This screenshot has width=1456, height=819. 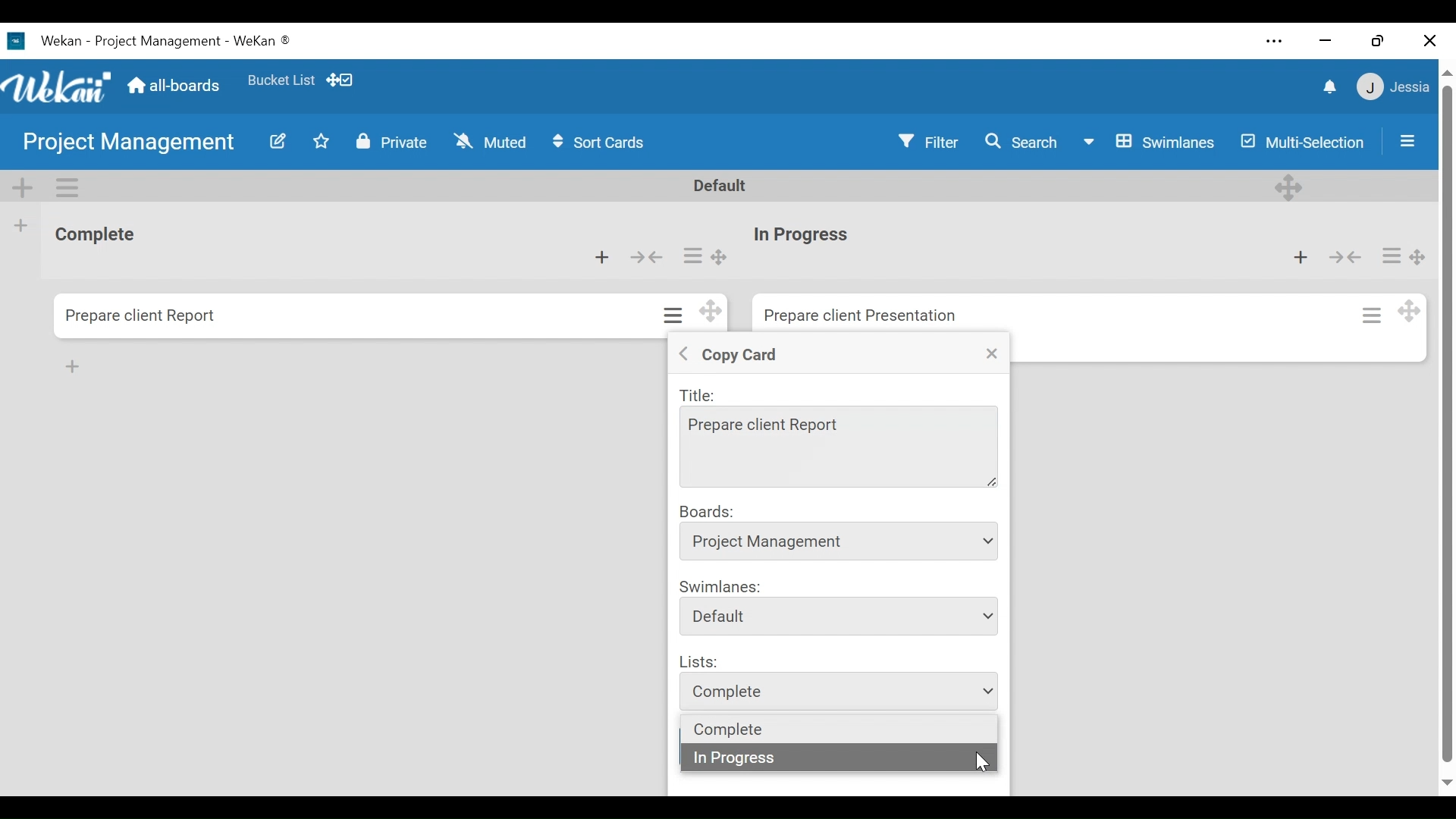 I want to click on Close, so click(x=1432, y=39).